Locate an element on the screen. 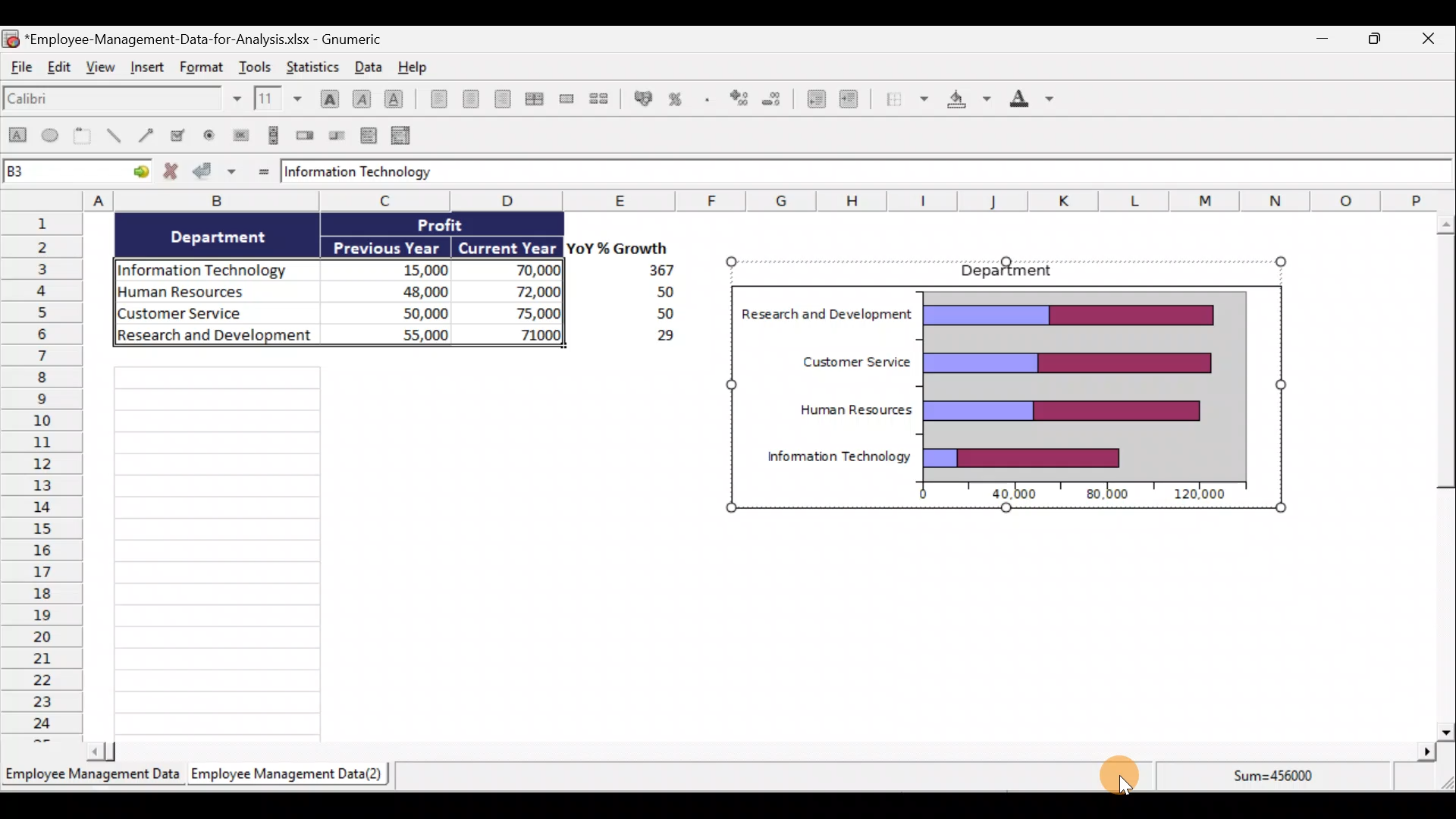  Set the format of the selected cells to include a thousands separator is located at coordinates (708, 96).